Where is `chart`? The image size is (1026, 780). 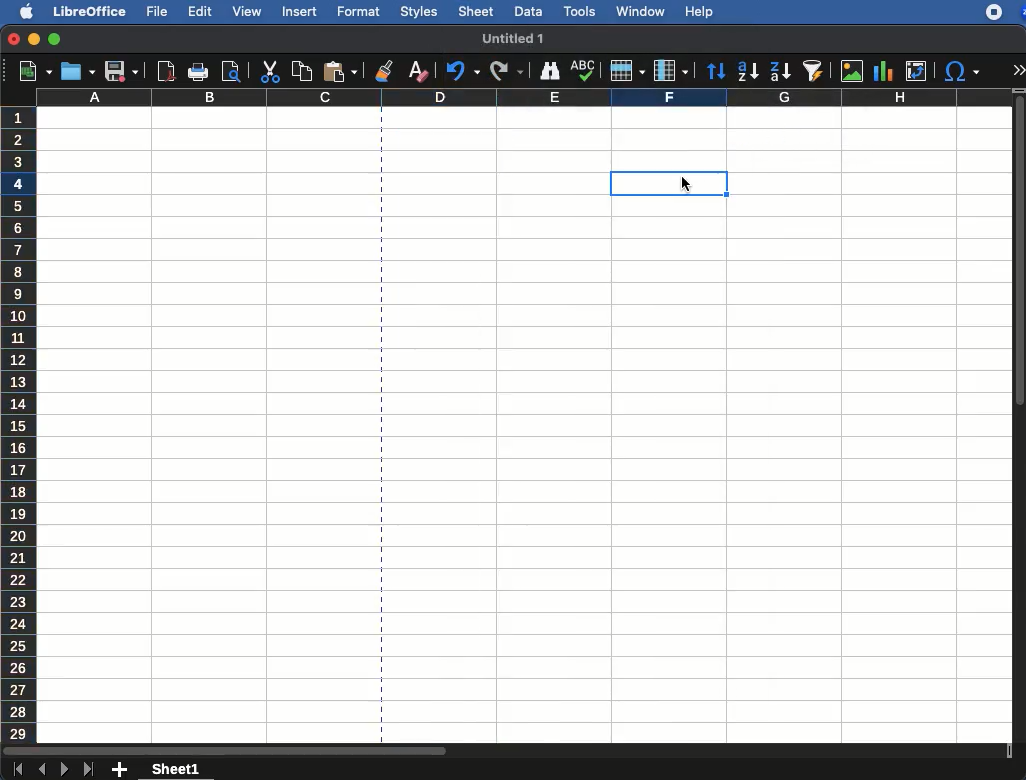 chart is located at coordinates (882, 70).